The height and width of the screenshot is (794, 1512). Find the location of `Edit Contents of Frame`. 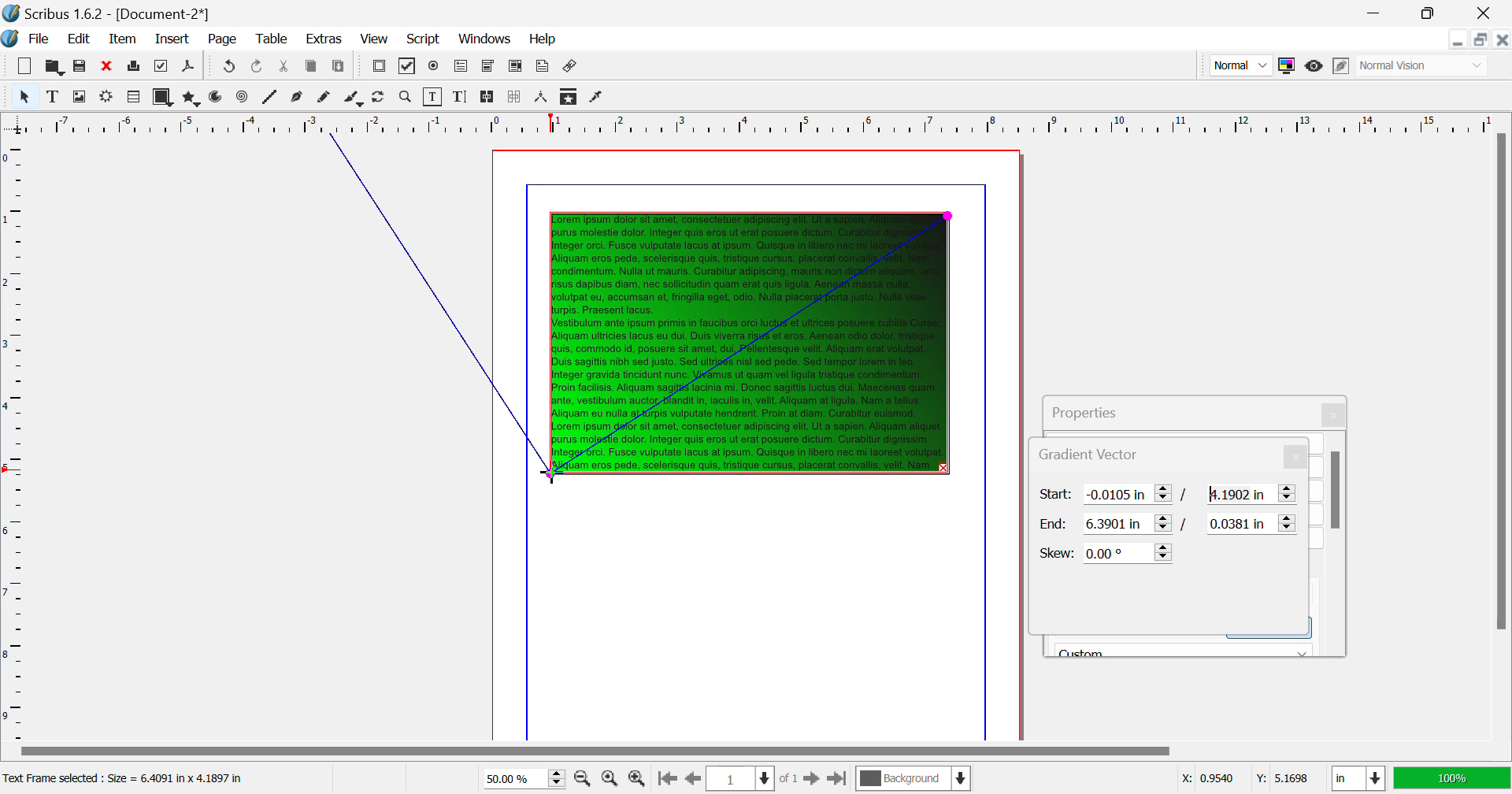

Edit Contents of Frame is located at coordinates (434, 97).